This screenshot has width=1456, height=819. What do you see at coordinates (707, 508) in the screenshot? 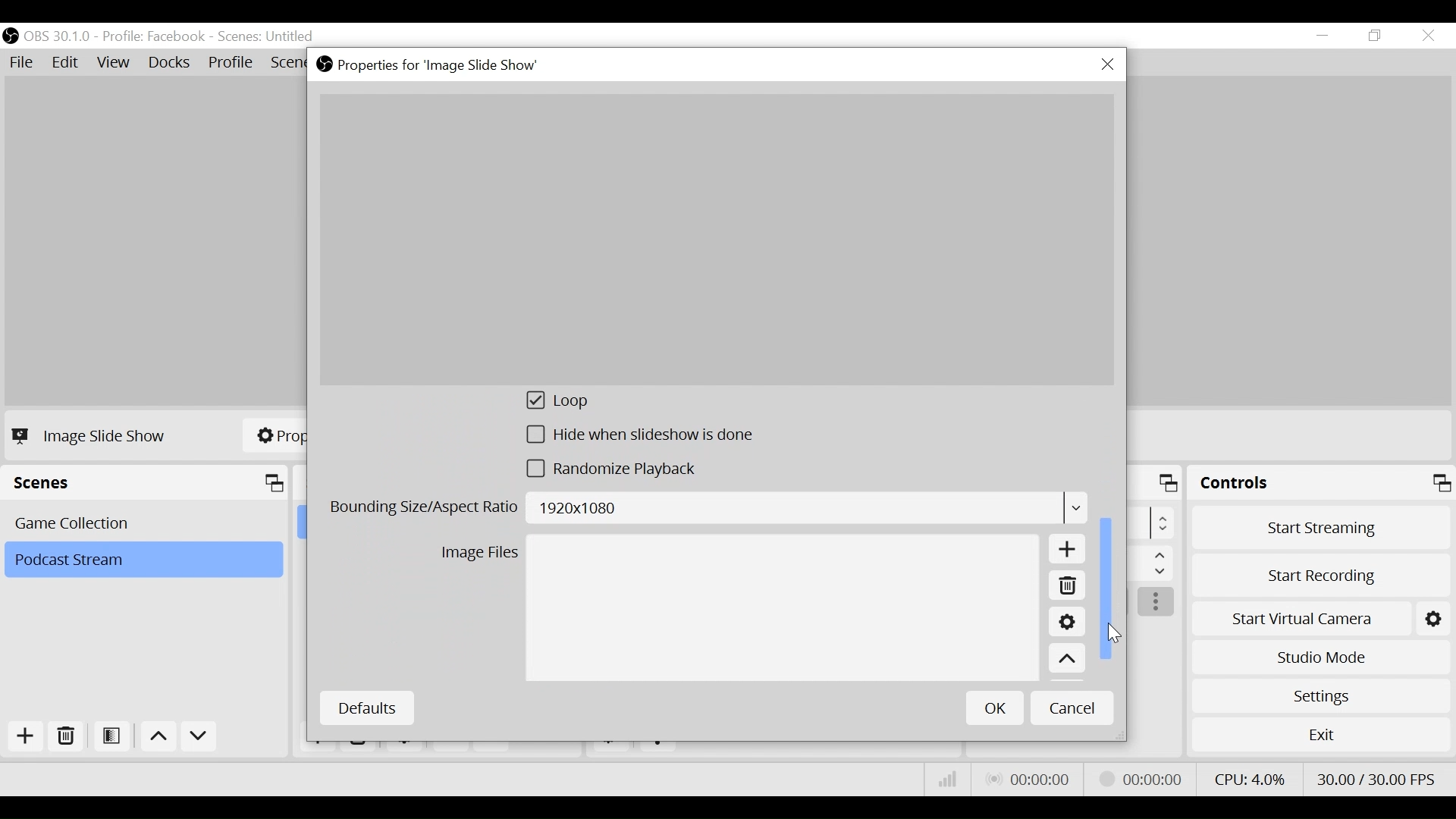
I see `Bounding Size` at bounding box center [707, 508].